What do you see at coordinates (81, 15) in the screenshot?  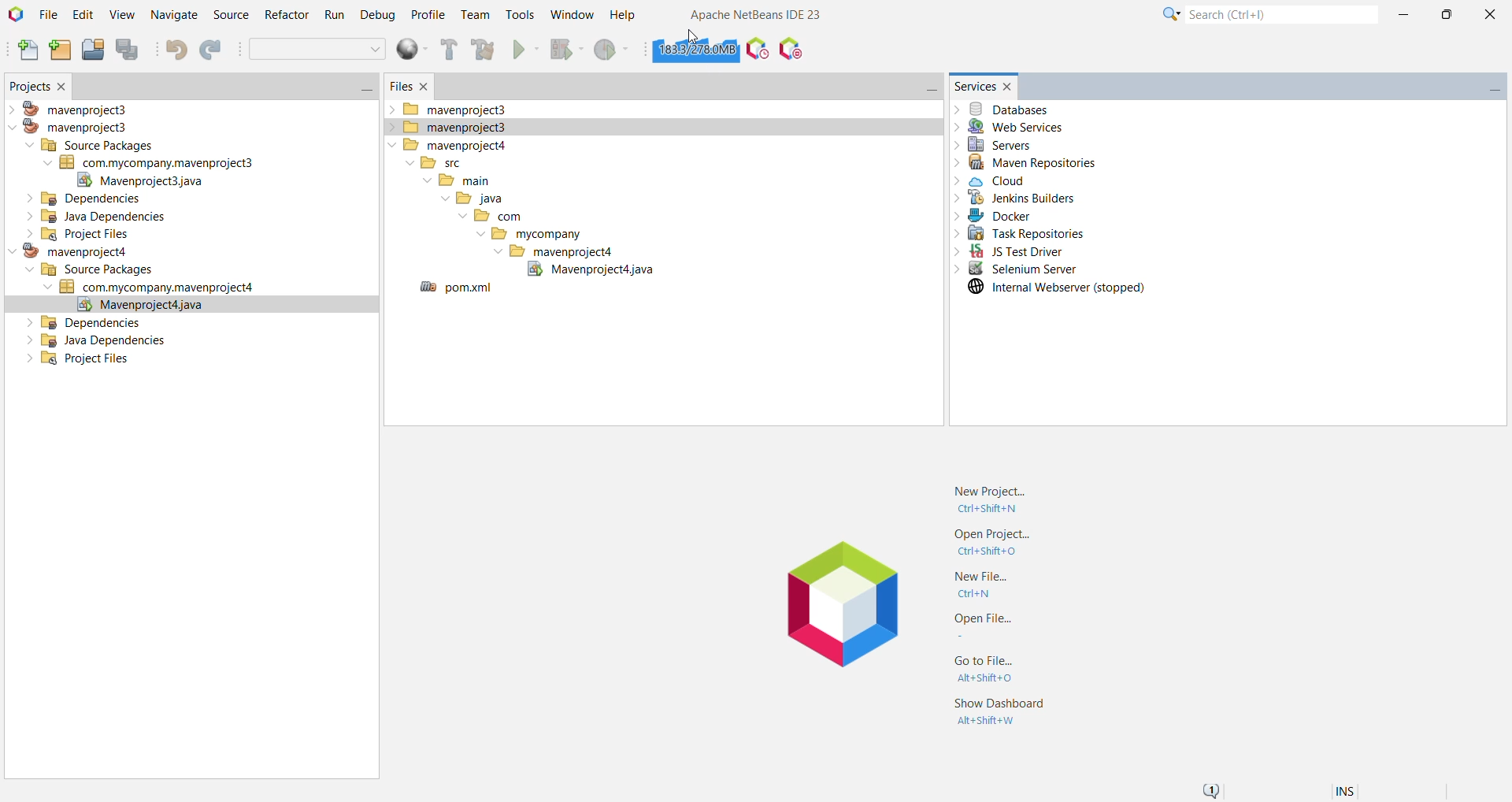 I see `Edit` at bounding box center [81, 15].